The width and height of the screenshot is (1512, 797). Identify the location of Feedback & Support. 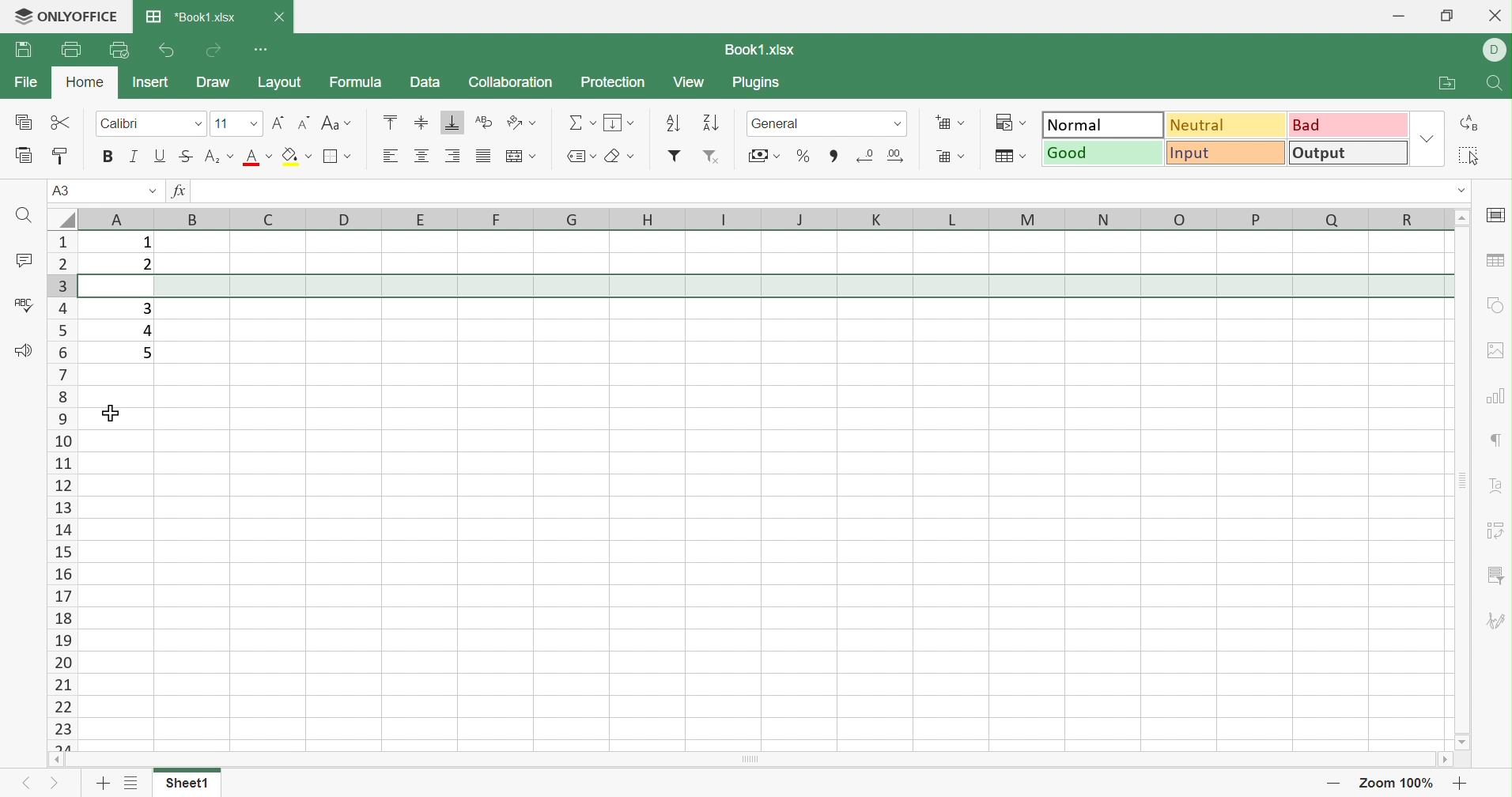
(23, 349).